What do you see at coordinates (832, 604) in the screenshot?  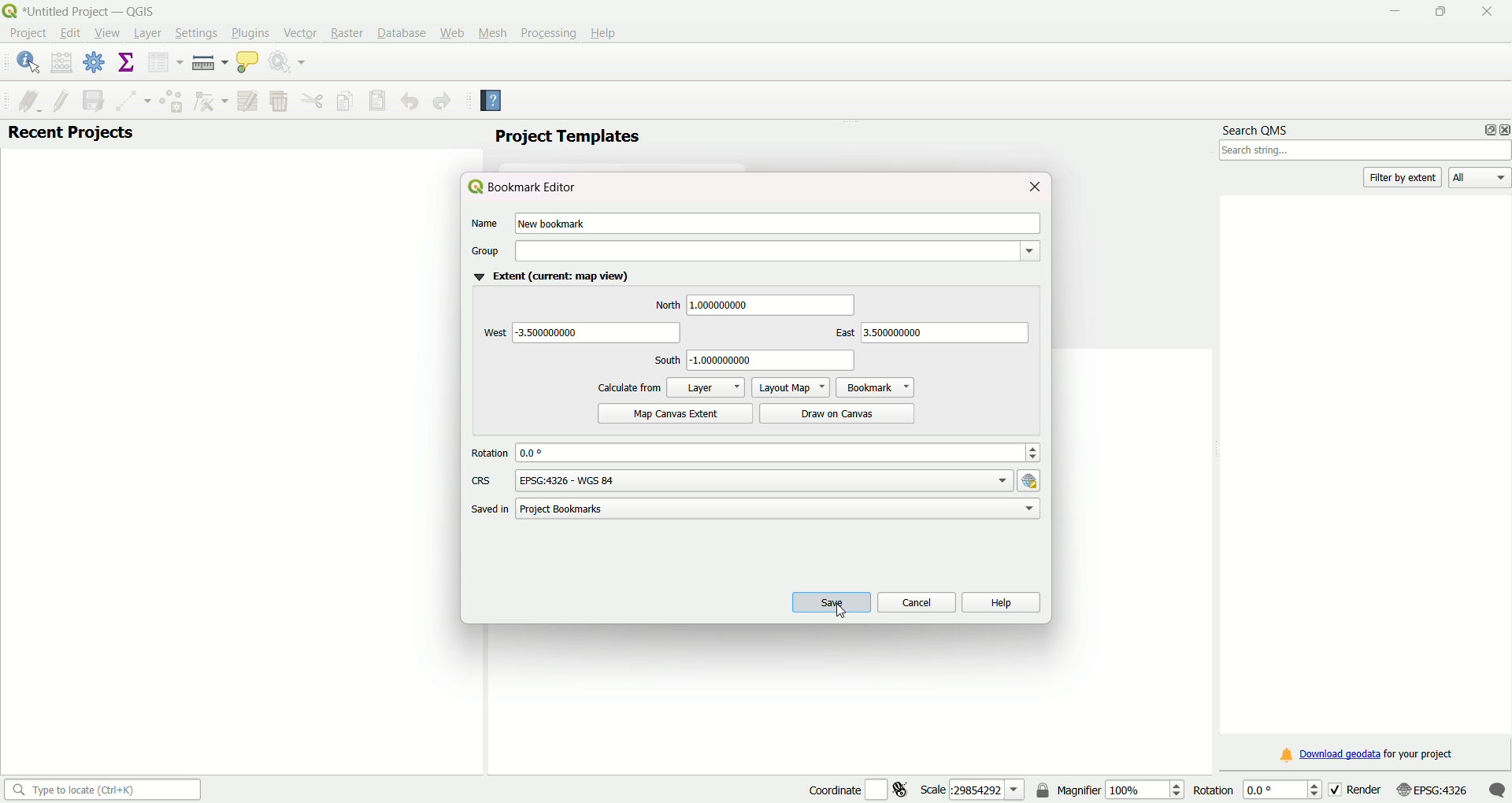 I see `save` at bounding box center [832, 604].